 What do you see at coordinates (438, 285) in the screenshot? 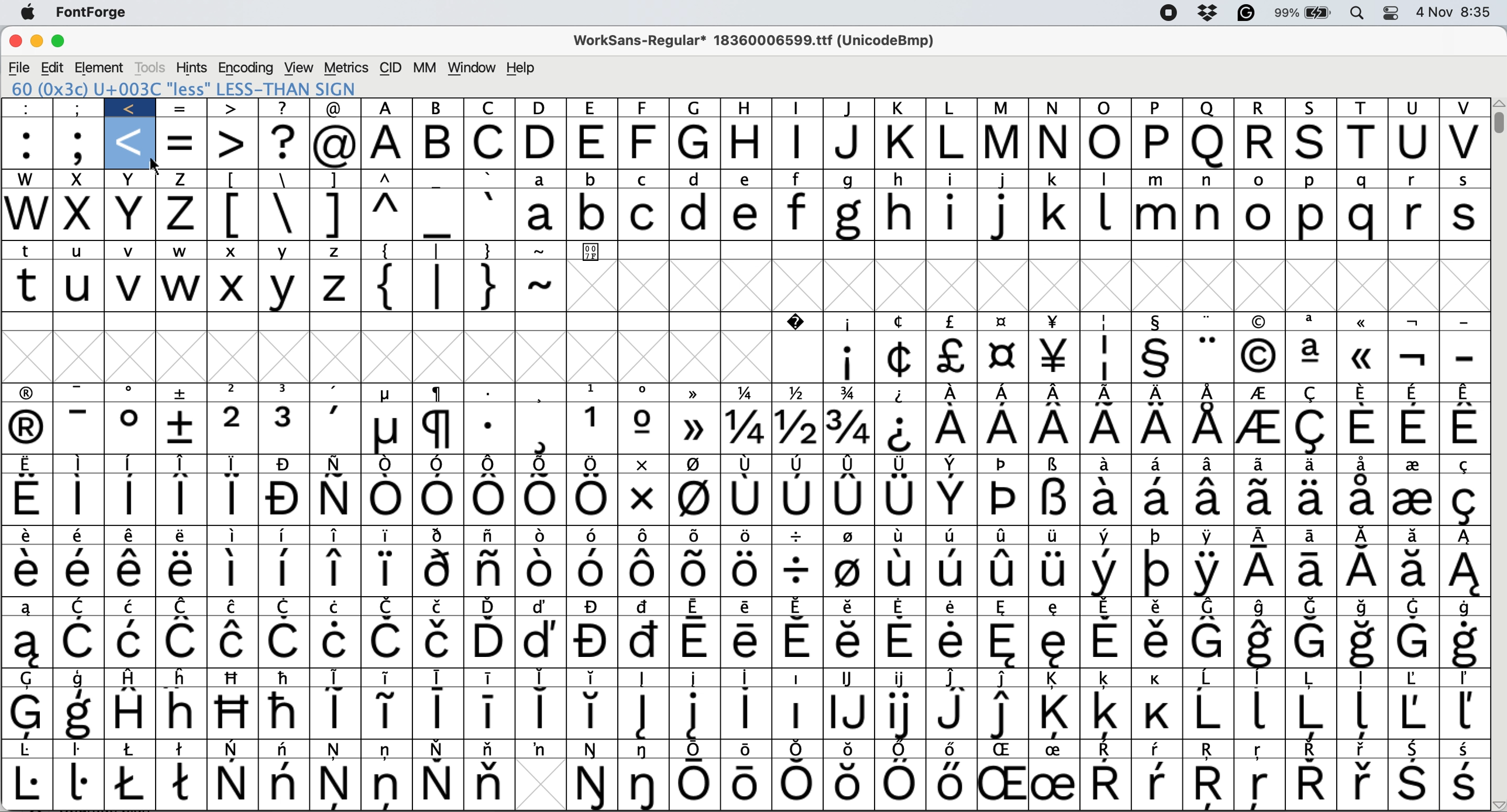
I see `|` at bounding box center [438, 285].